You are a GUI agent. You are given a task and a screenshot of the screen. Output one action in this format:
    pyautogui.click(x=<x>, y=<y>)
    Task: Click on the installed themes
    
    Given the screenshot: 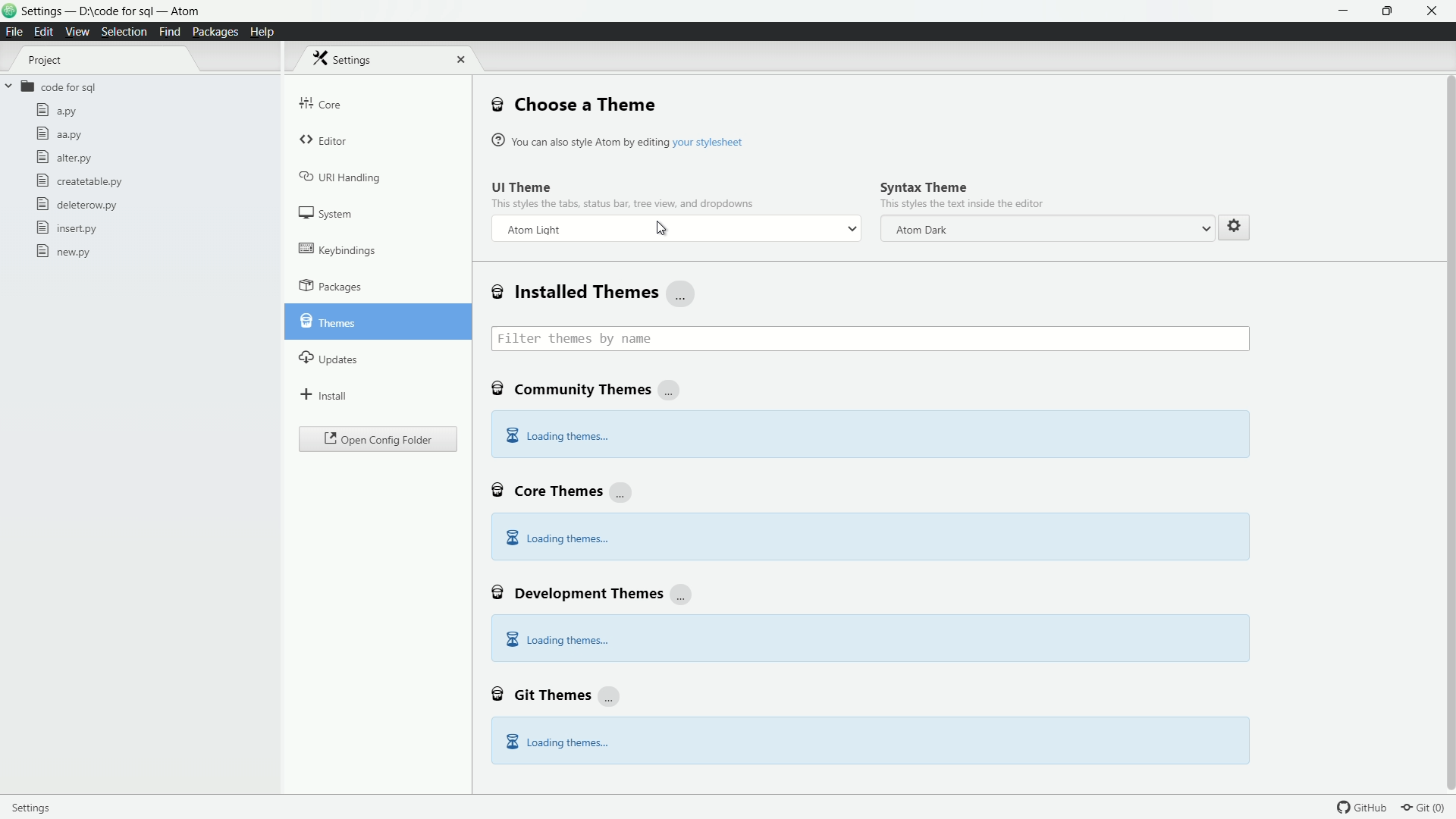 What is the action you would take?
    pyautogui.click(x=594, y=293)
    